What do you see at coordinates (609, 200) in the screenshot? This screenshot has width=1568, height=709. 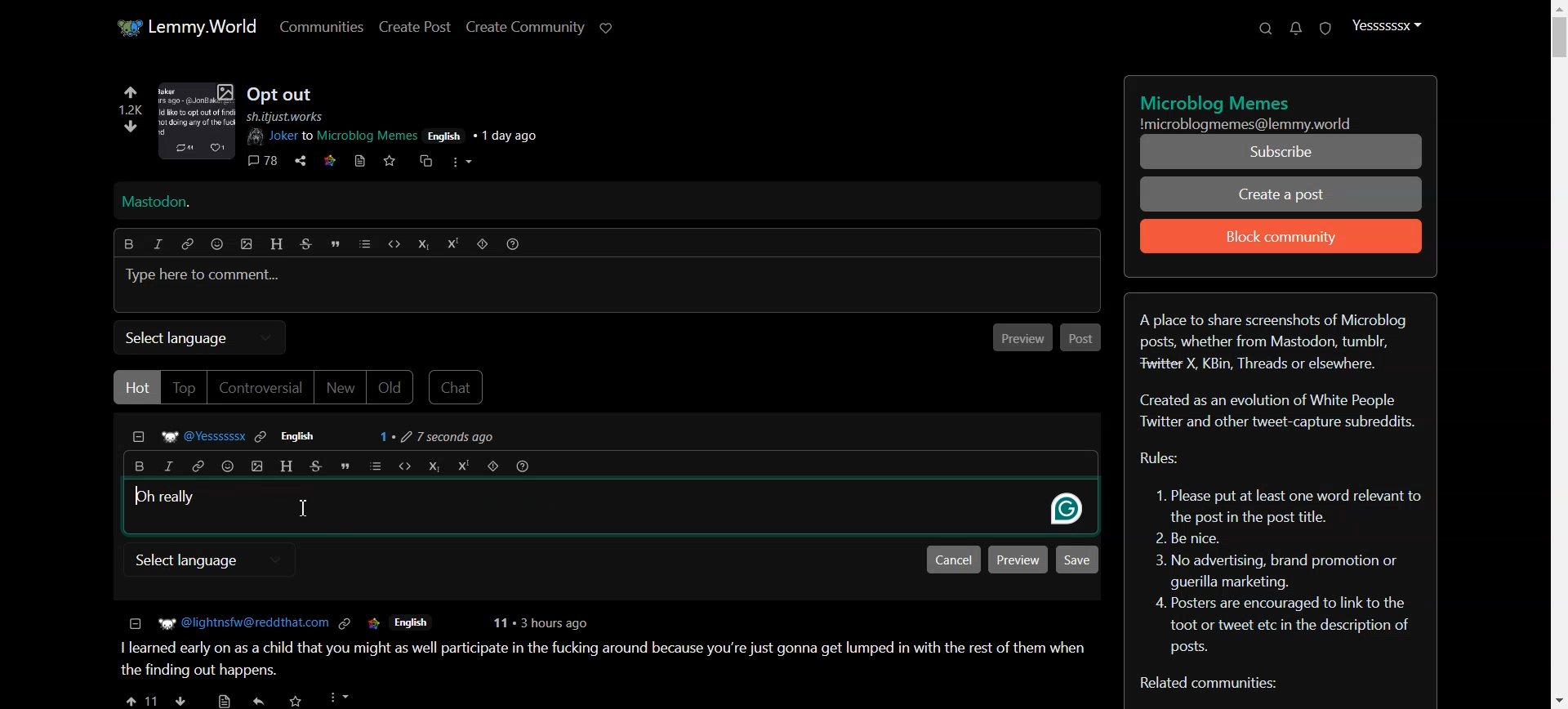 I see `Mastodon Hyperlink ` at bounding box center [609, 200].